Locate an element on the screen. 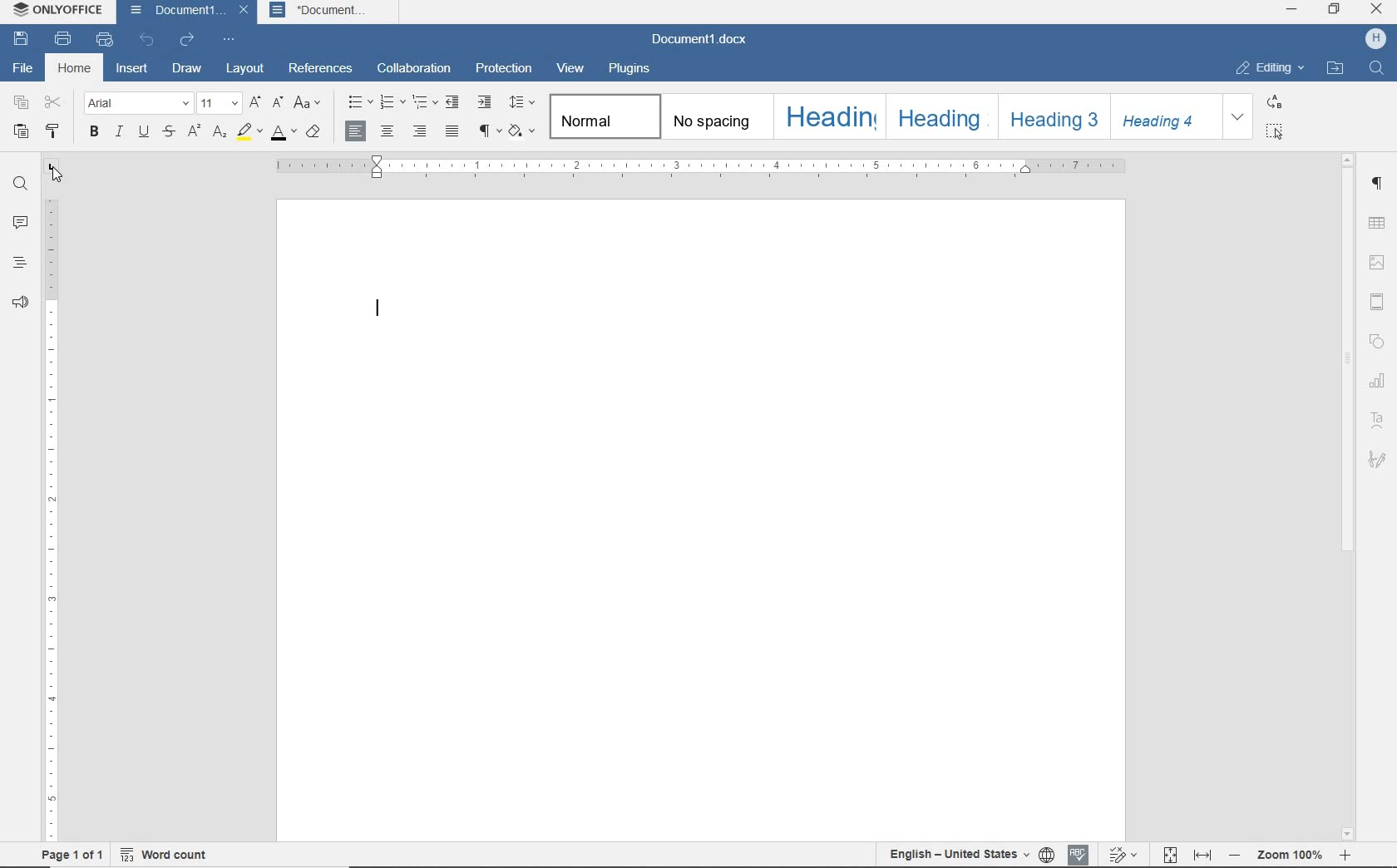 This screenshot has width=1397, height=868. FONT COLOR is located at coordinates (283, 133).